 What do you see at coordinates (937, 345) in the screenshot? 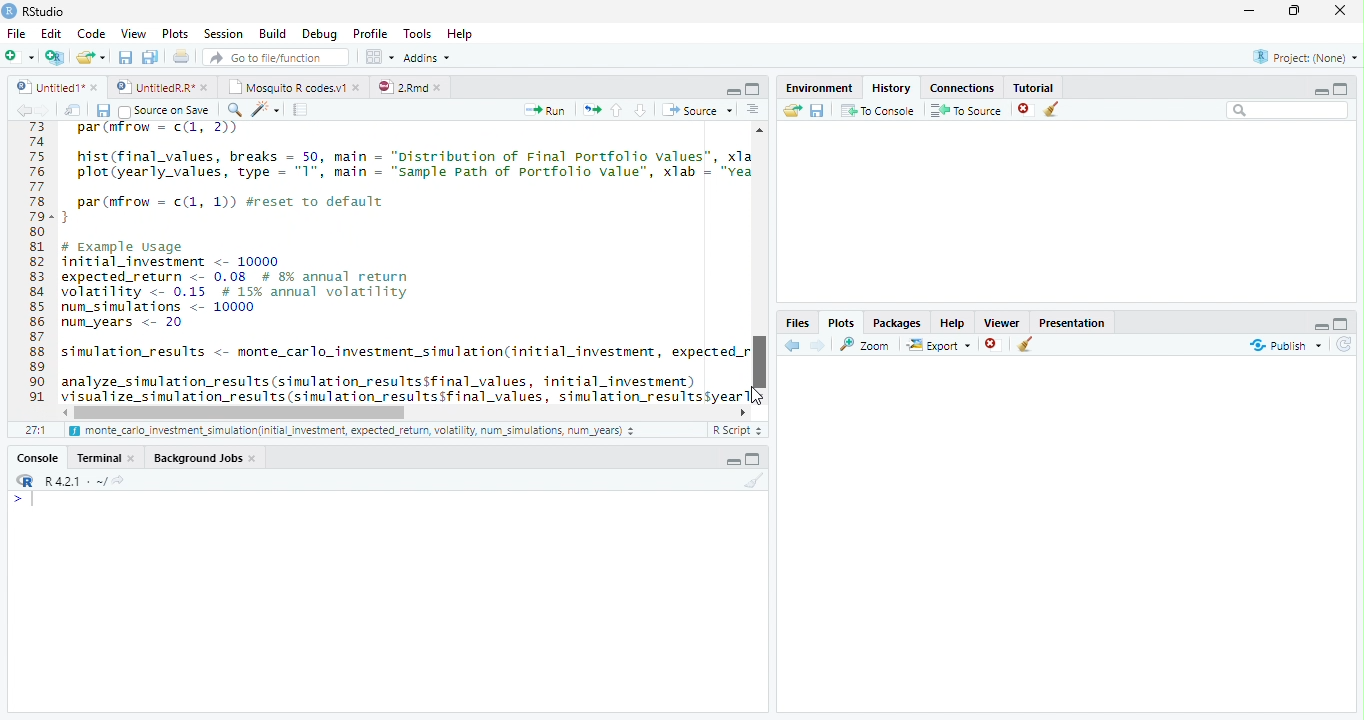
I see `Export` at bounding box center [937, 345].